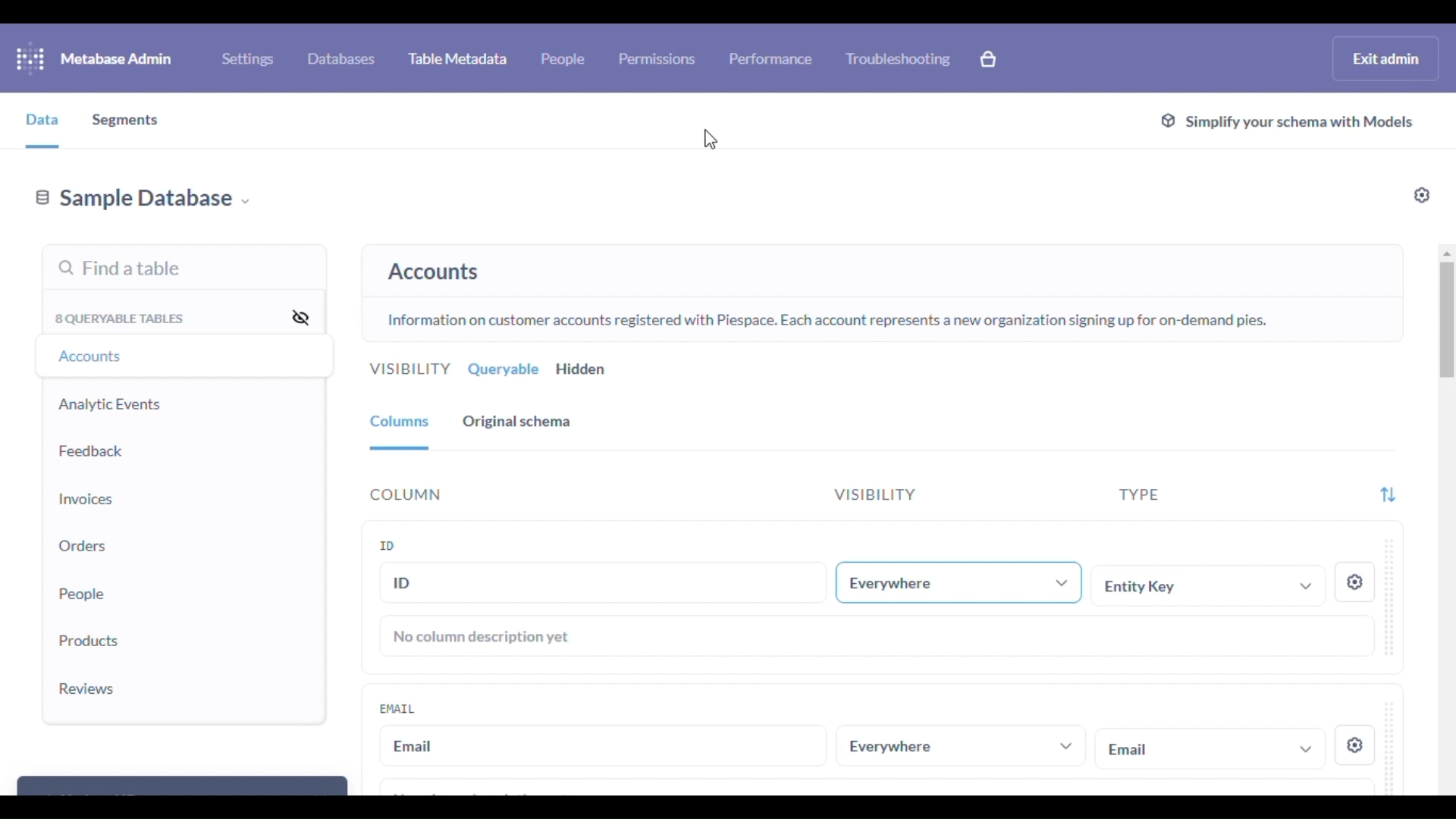 The image size is (1456, 819). What do you see at coordinates (83, 545) in the screenshot?
I see `orders` at bounding box center [83, 545].